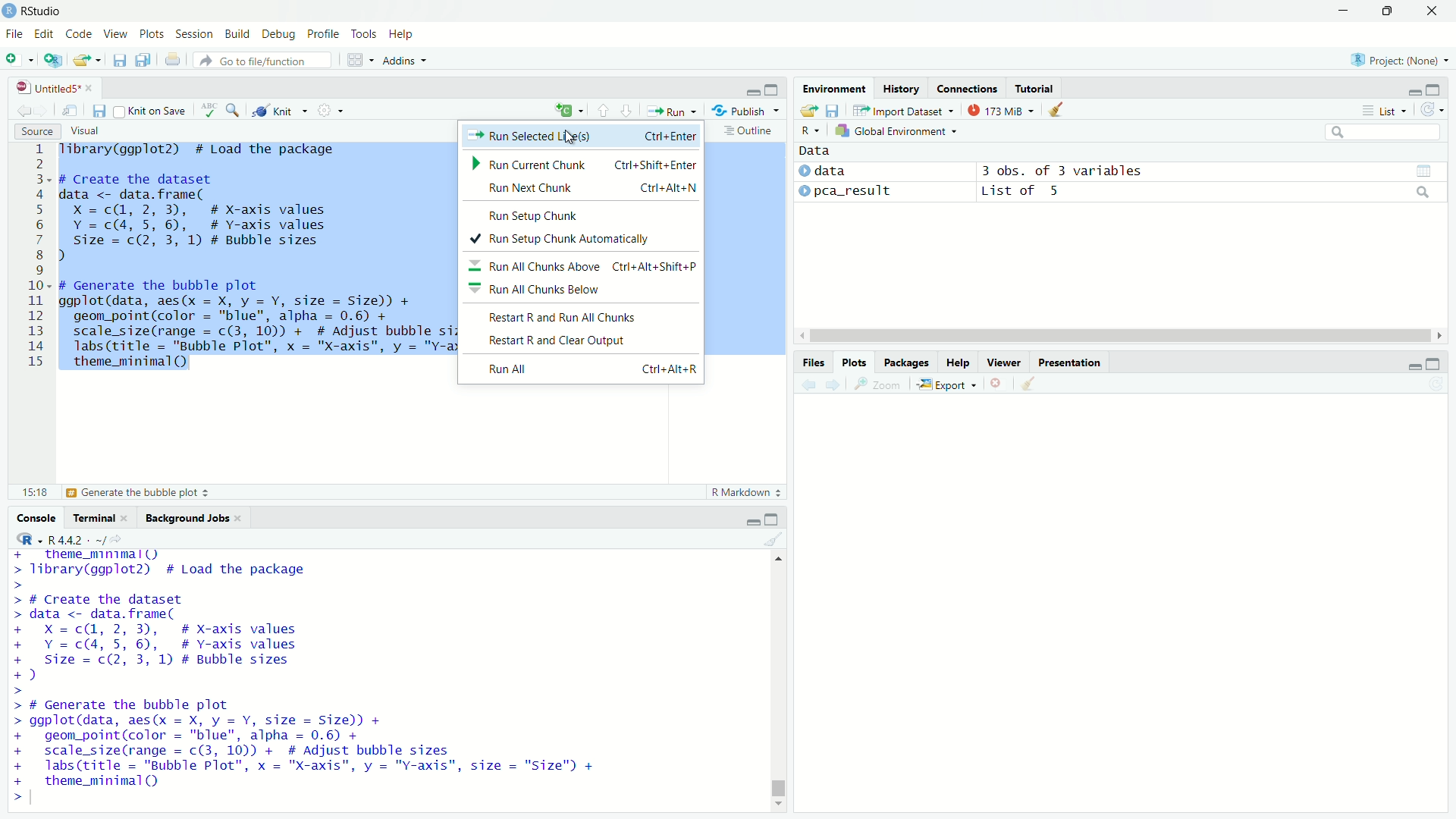 The width and height of the screenshot is (1456, 819). Describe the element at coordinates (589, 368) in the screenshot. I see `run all` at that location.